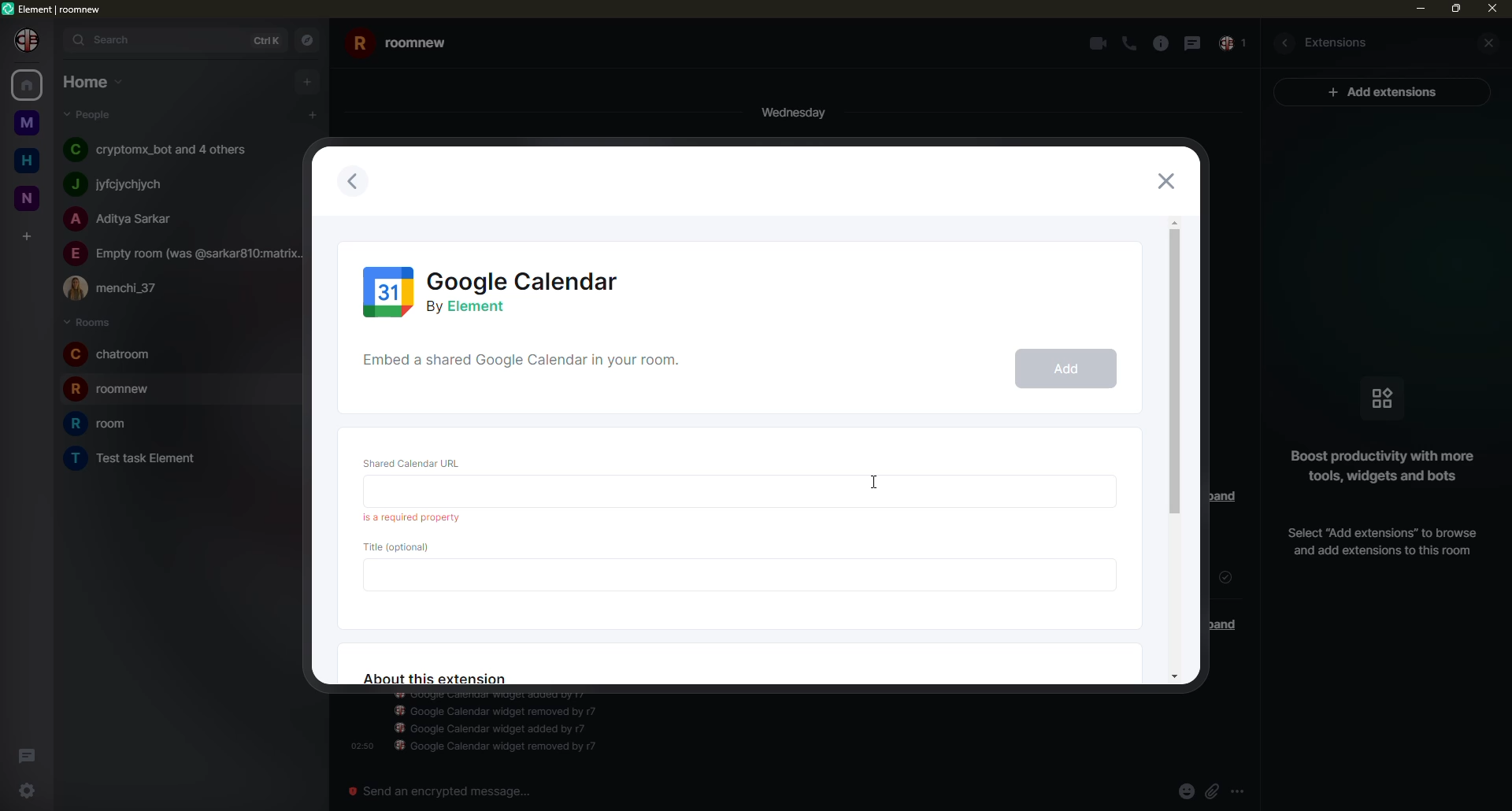 This screenshot has width=1512, height=811. Describe the element at coordinates (115, 185) in the screenshot. I see `people` at that location.